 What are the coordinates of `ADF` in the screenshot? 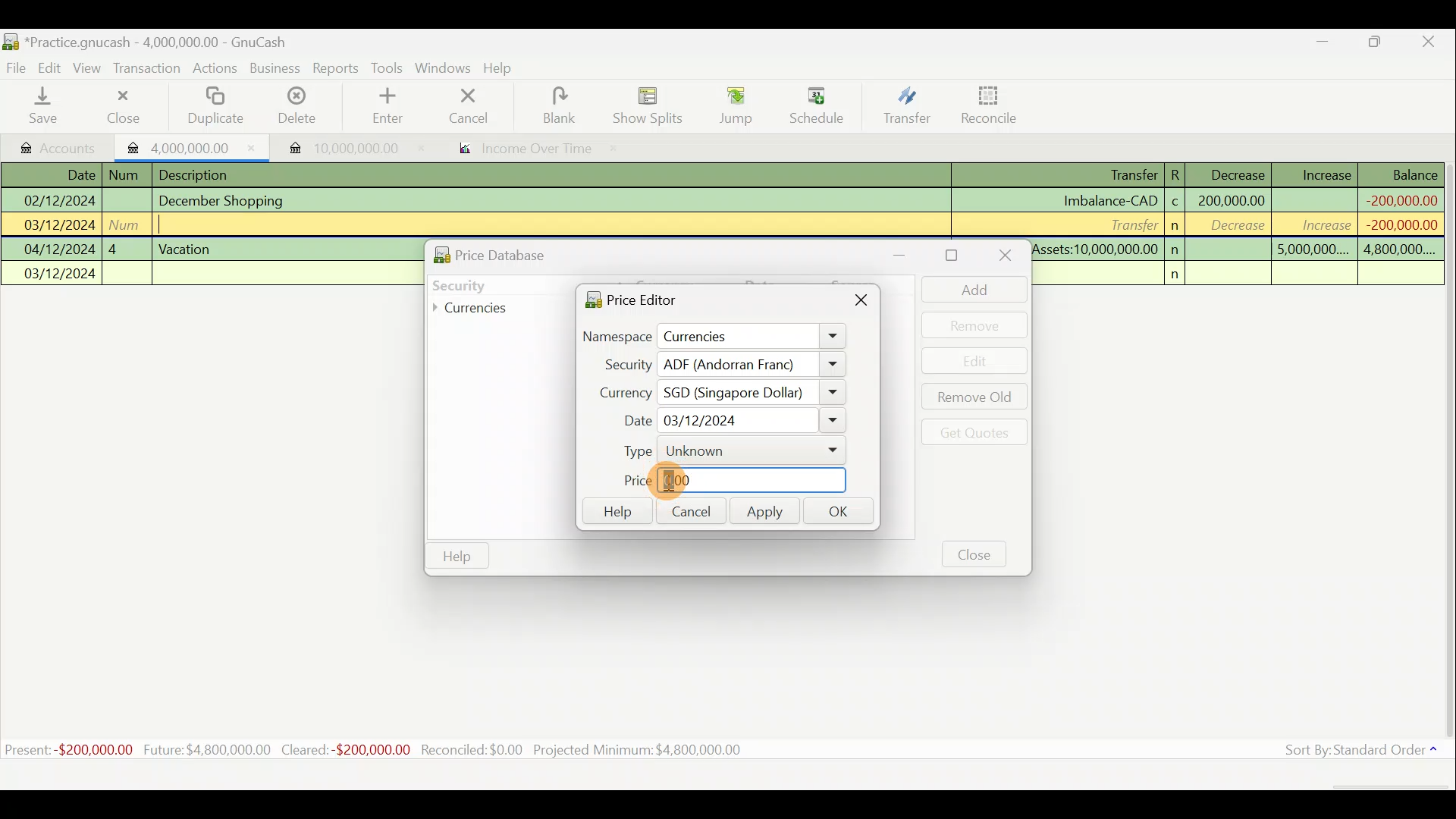 It's located at (752, 365).